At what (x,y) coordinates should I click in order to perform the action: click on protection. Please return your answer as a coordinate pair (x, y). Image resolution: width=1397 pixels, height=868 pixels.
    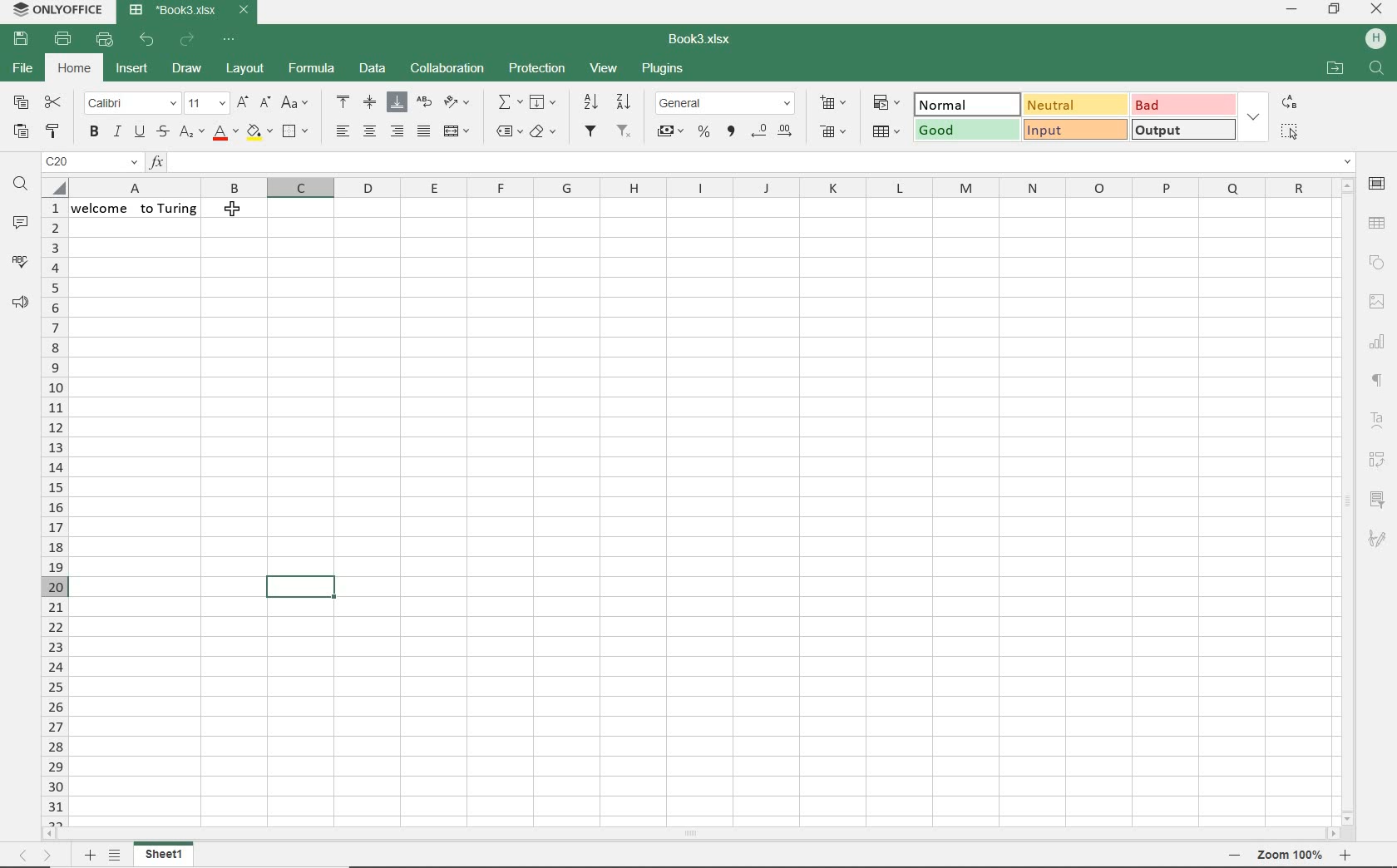
    Looking at the image, I should click on (537, 67).